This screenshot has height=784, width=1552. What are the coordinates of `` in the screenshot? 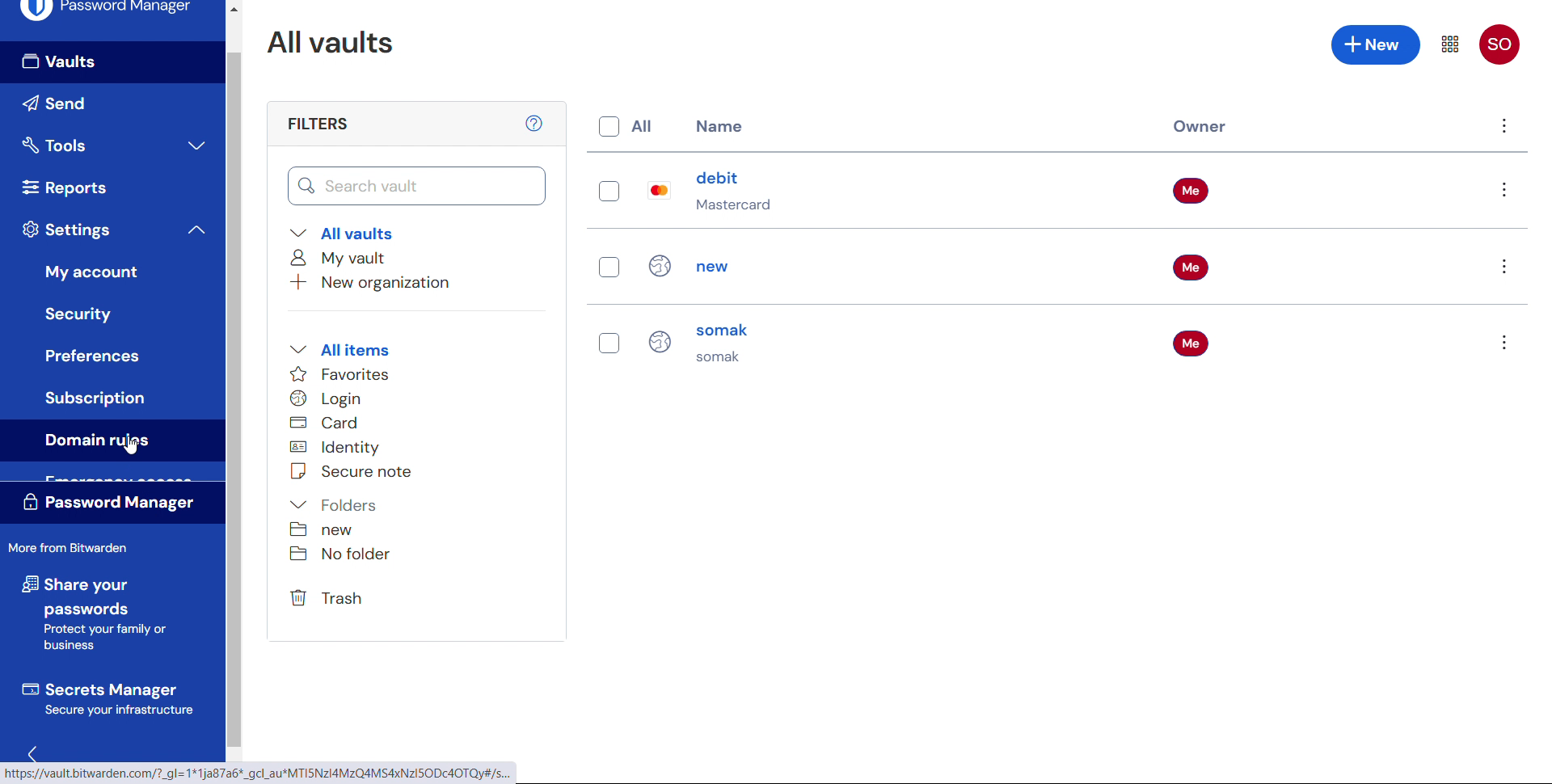 It's located at (91, 356).